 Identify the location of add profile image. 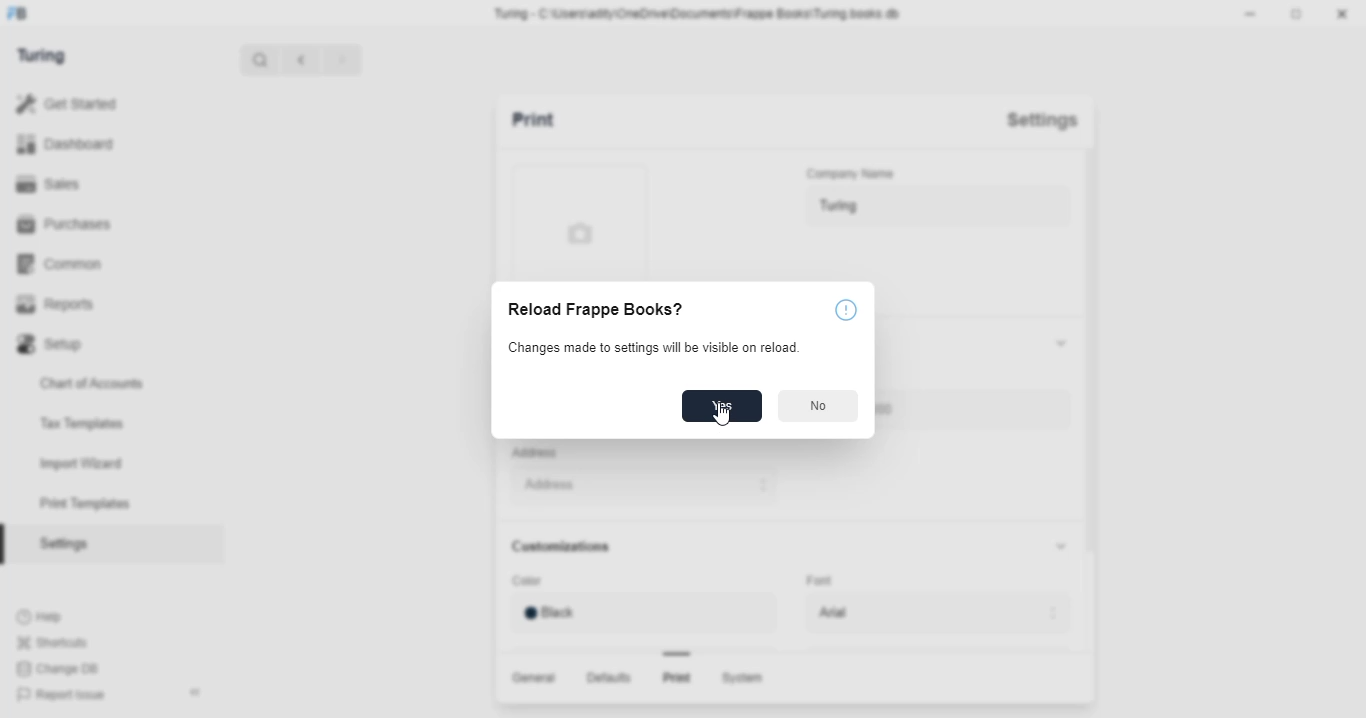
(580, 220).